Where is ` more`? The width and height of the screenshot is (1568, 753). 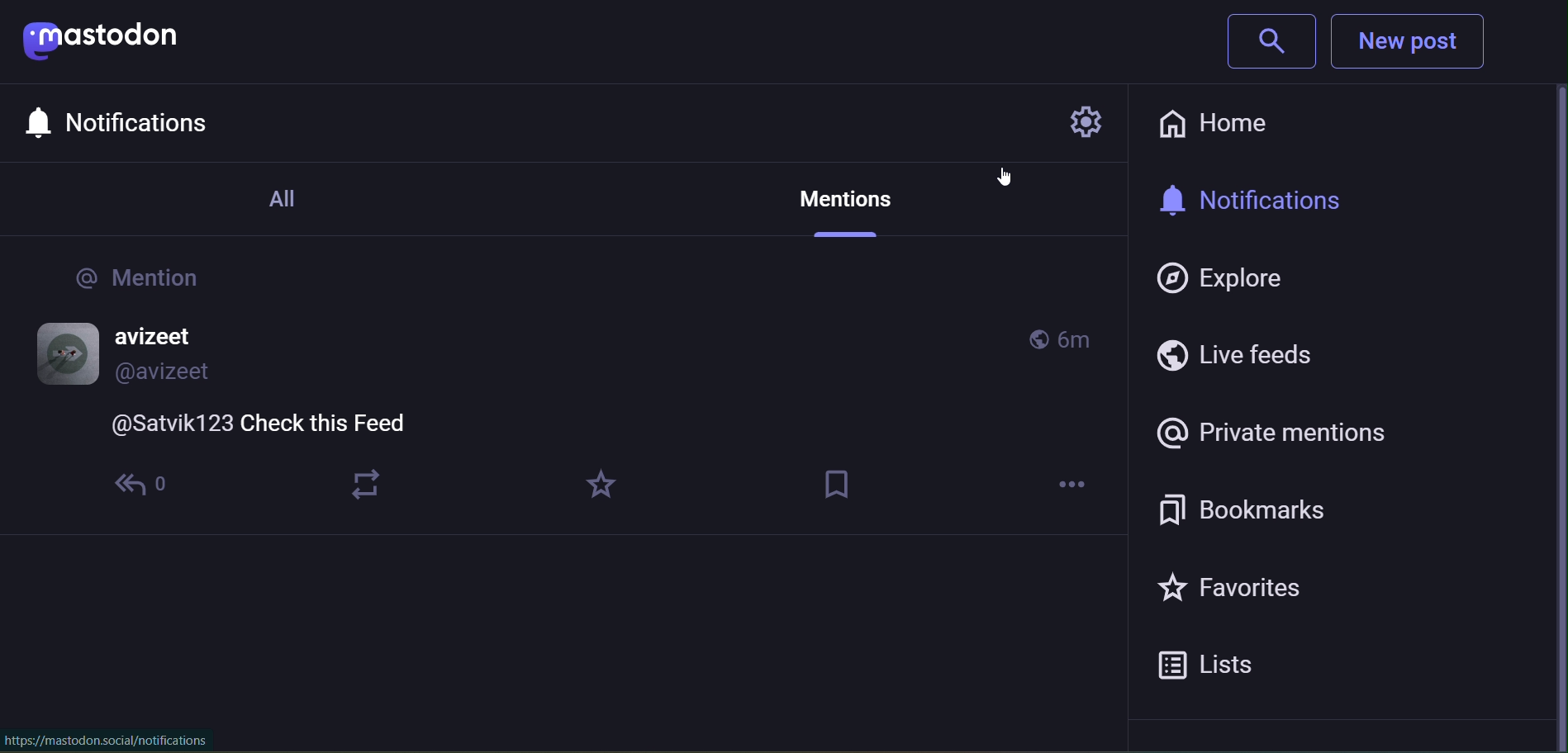
 more is located at coordinates (1071, 484).